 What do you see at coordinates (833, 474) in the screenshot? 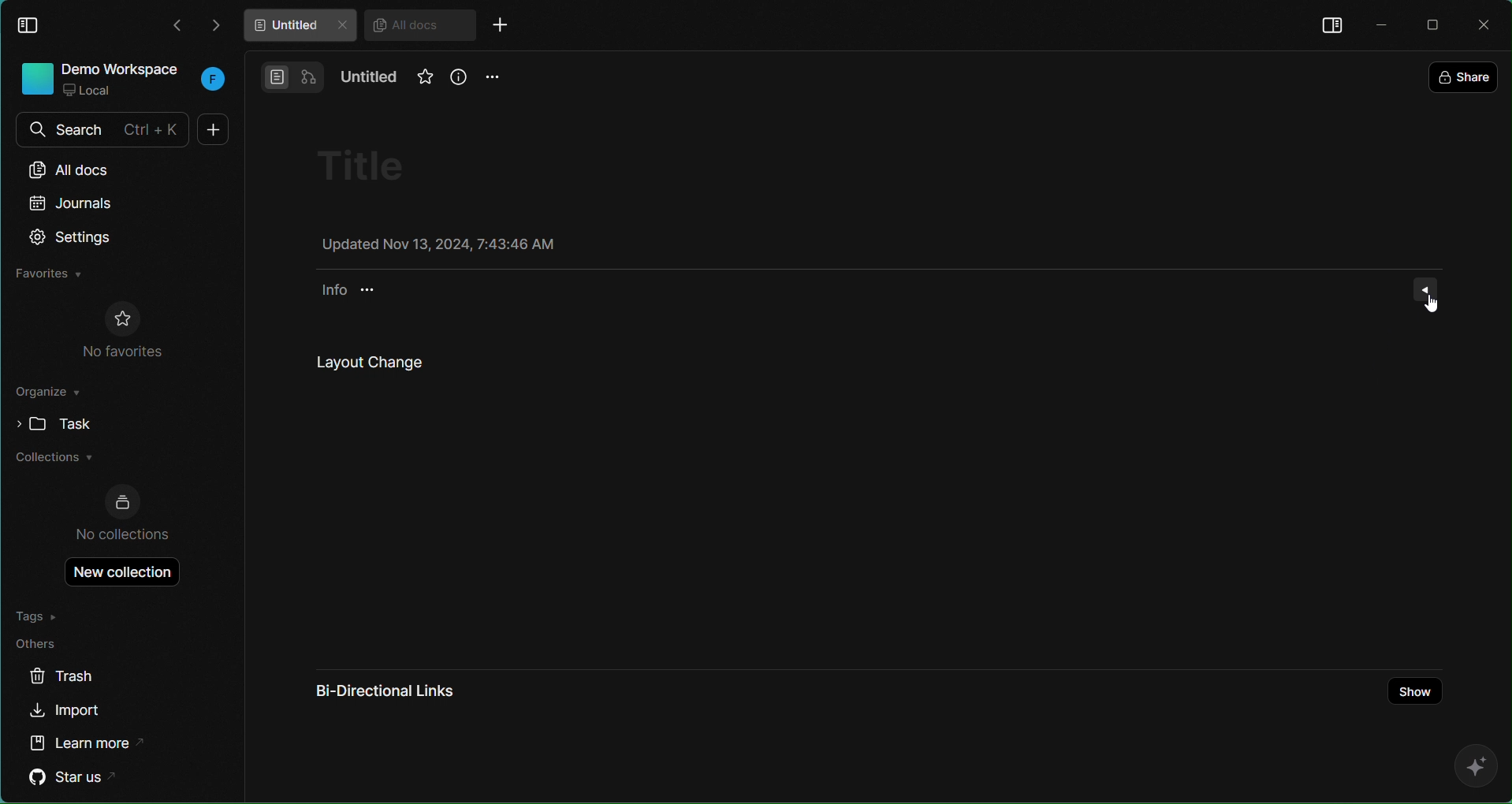
I see `Project` at bounding box center [833, 474].